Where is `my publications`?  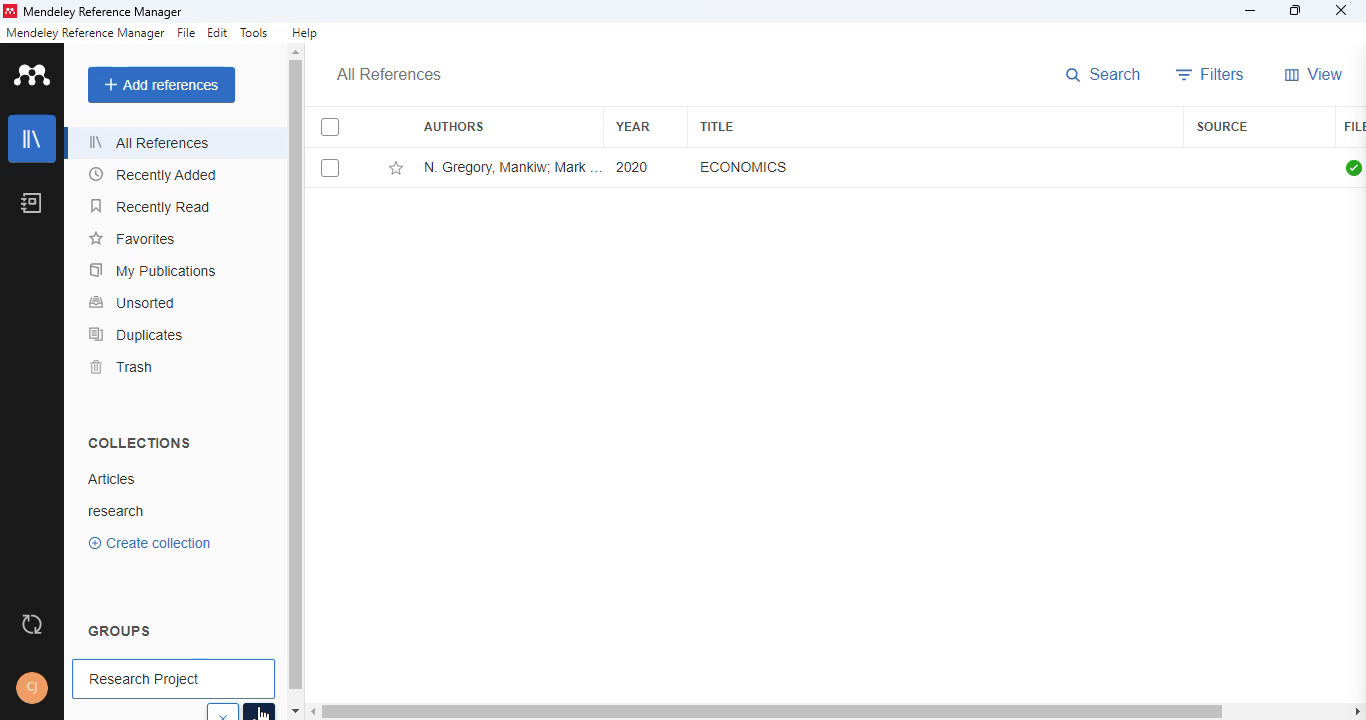
my publications is located at coordinates (155, 271).